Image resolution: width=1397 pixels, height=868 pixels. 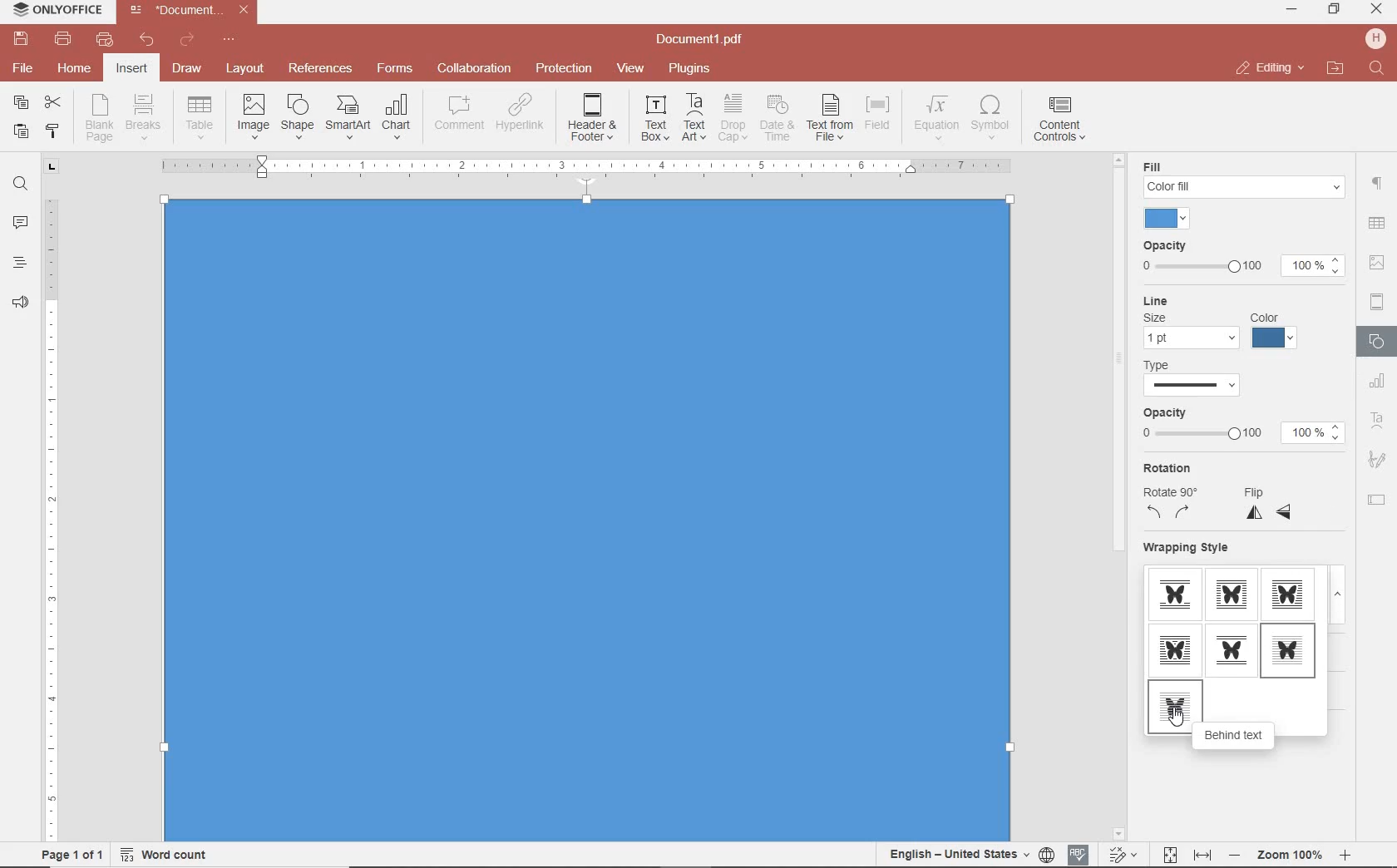 What do you see at coordinates (990, 116) in the screenshot?
I see `INSERT SYMBOL` at bounding box center [990, 116].